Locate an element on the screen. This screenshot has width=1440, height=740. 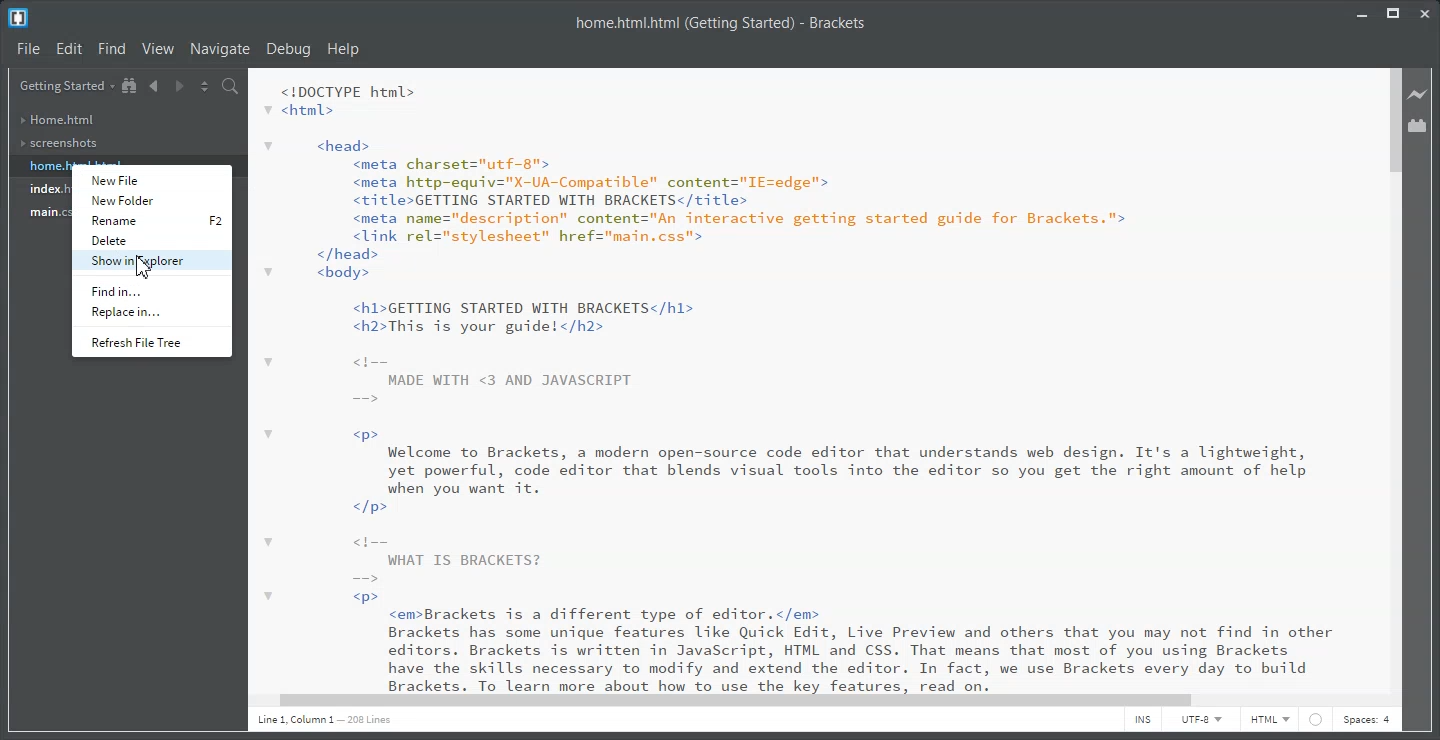
Extension Manager is located at coordinates (1418, 125).